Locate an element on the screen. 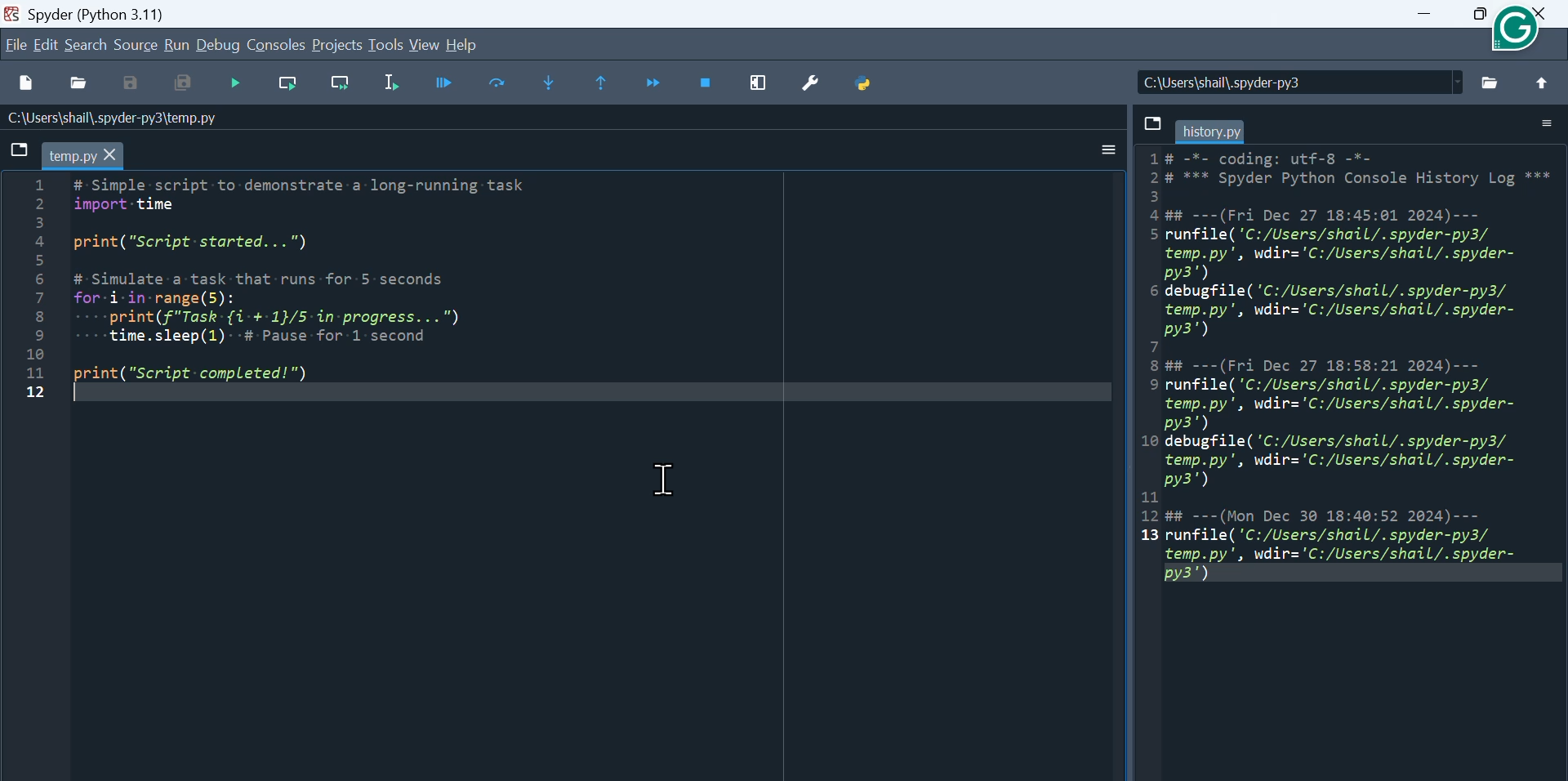 The height and width of the screenshot is (781, 1568).  is located at coordinates (15, 45).